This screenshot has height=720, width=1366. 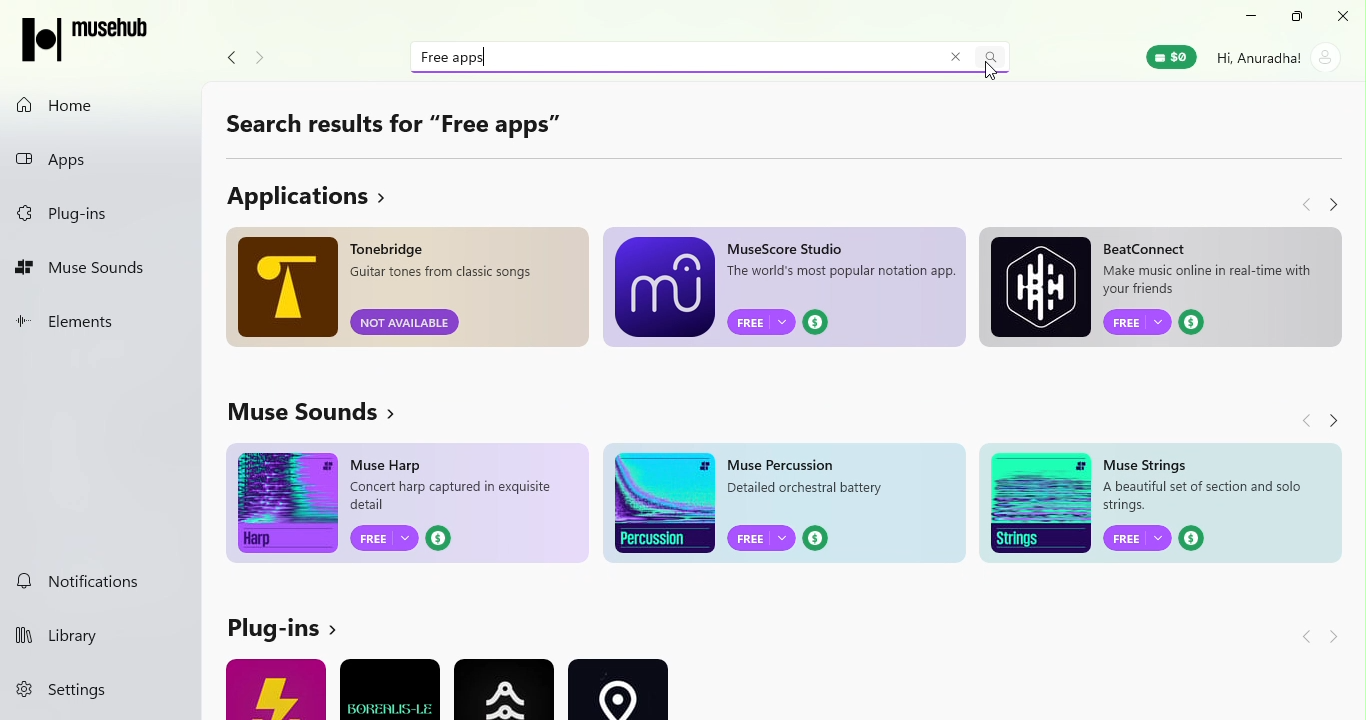 What do you see at coordinates (311, 412) in the screenshot?
I see `View more` at bounding box center [311, 412].